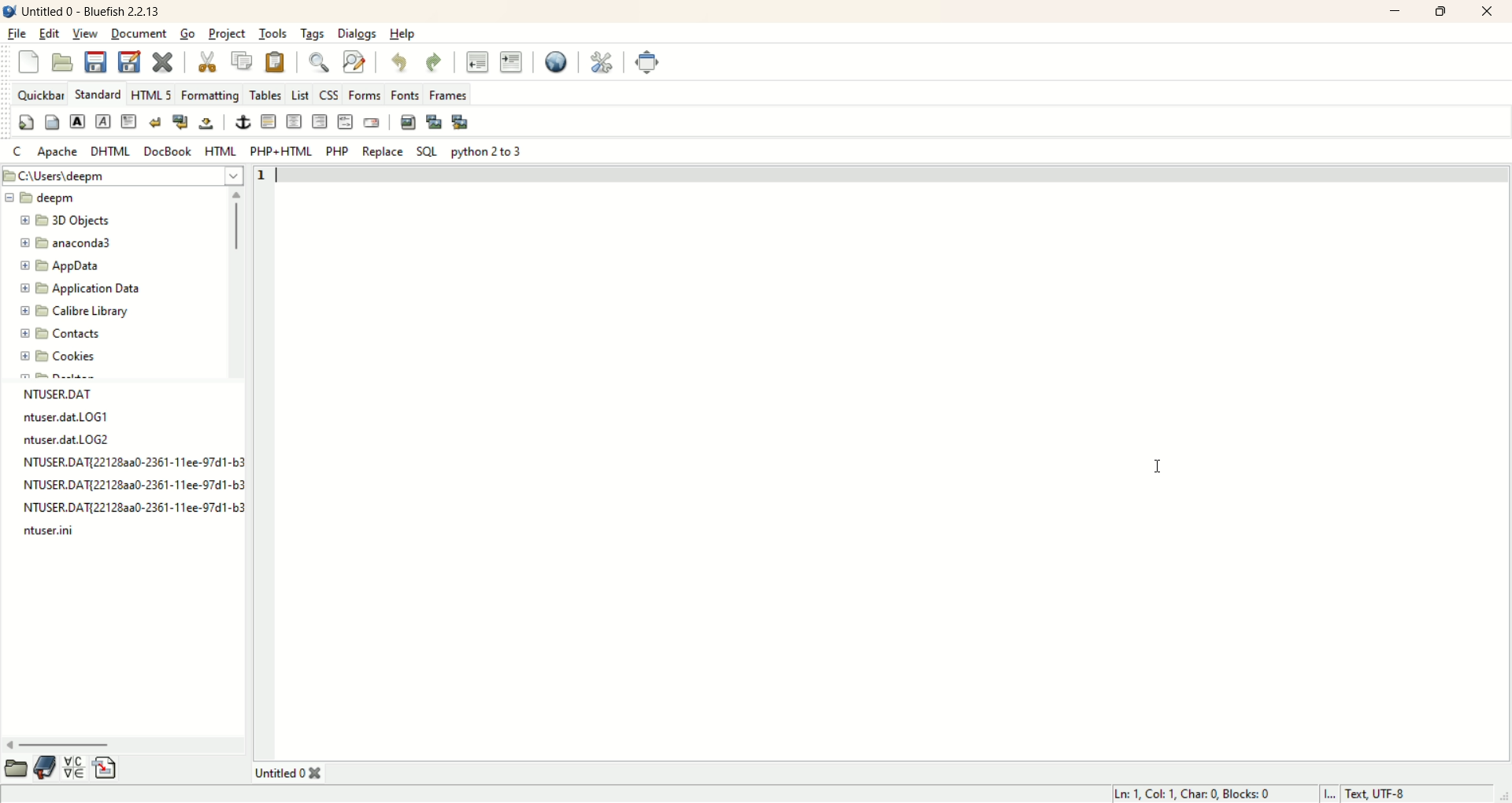 The image size is (1512, 803). I want to click on view, so click(86, 32).